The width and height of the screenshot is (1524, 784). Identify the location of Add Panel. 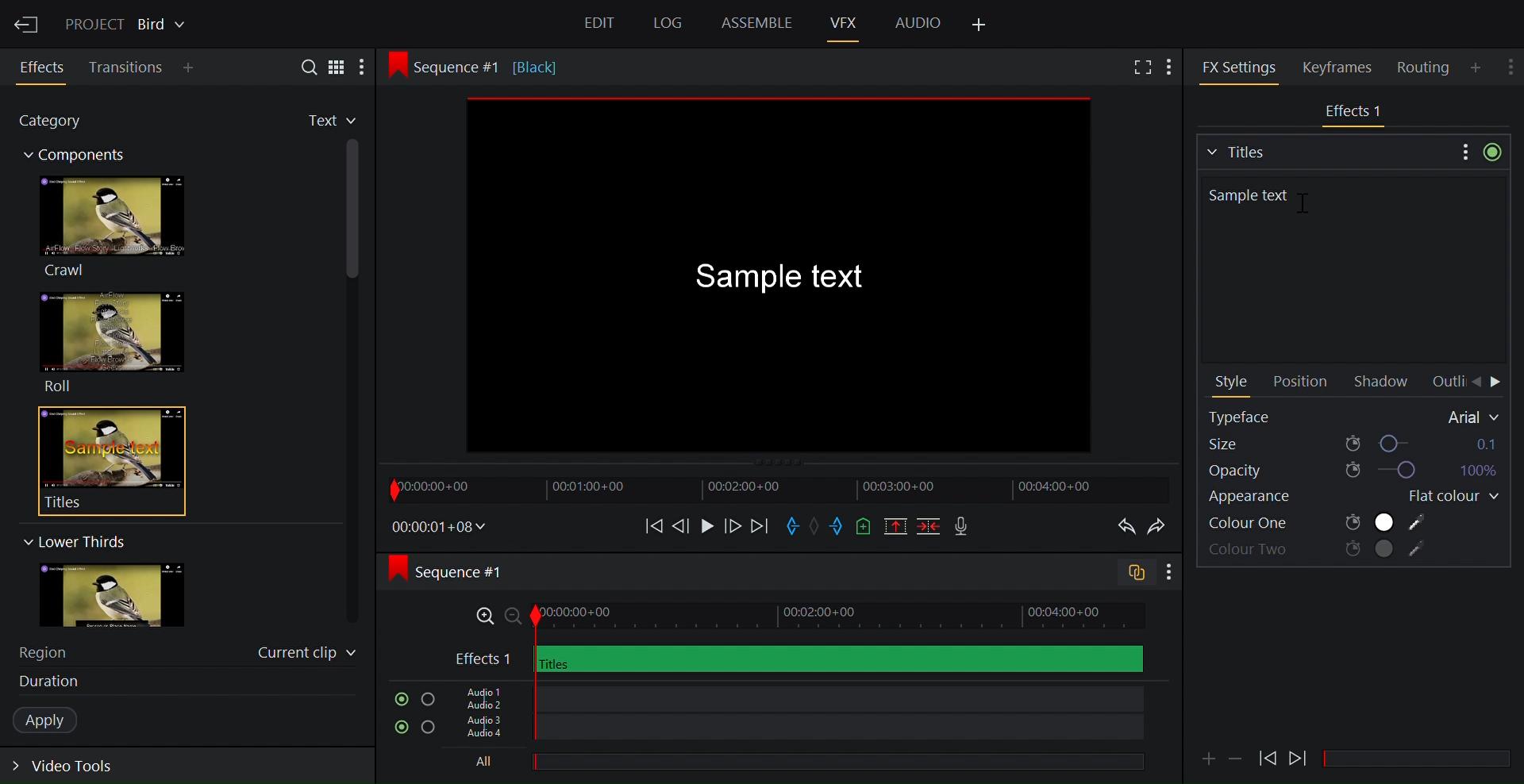
(1173, 65).